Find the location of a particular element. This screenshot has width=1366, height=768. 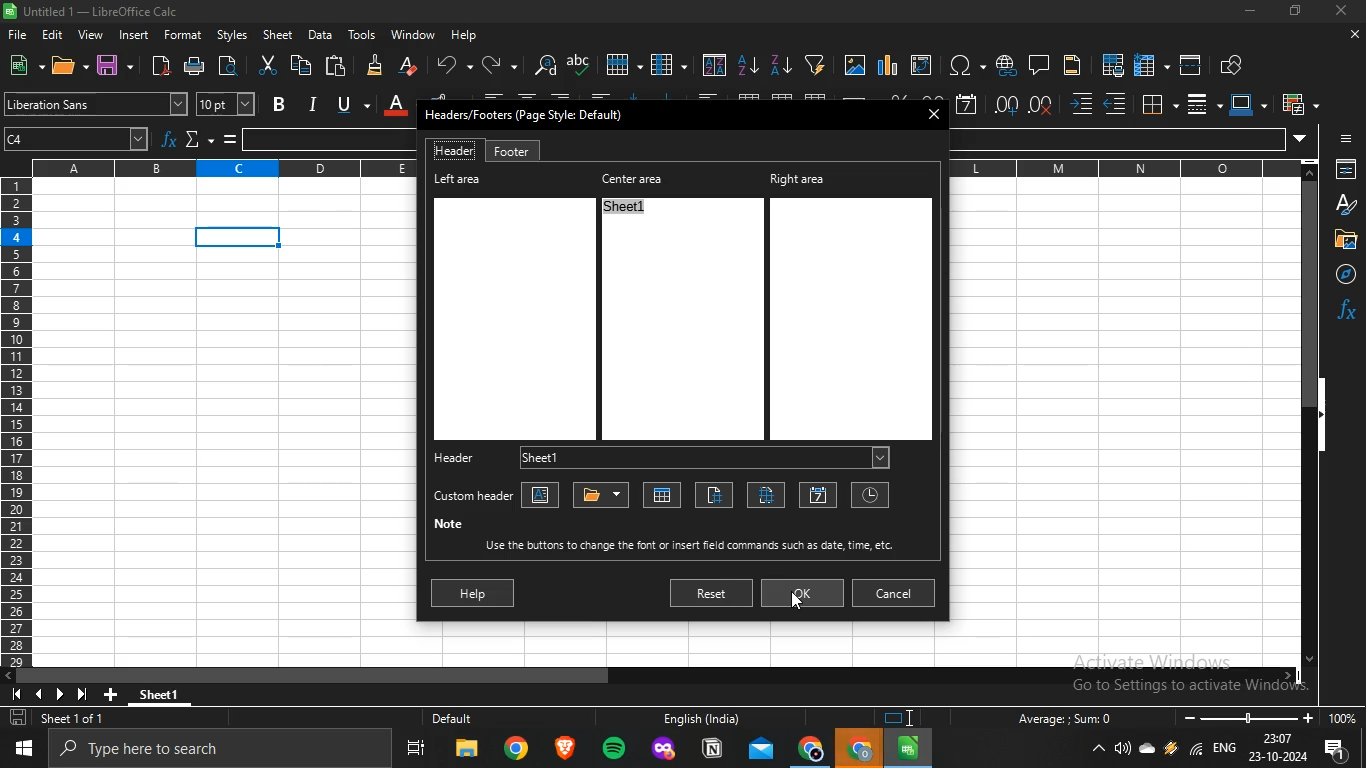

styles is located at coordinates (1342, 204).